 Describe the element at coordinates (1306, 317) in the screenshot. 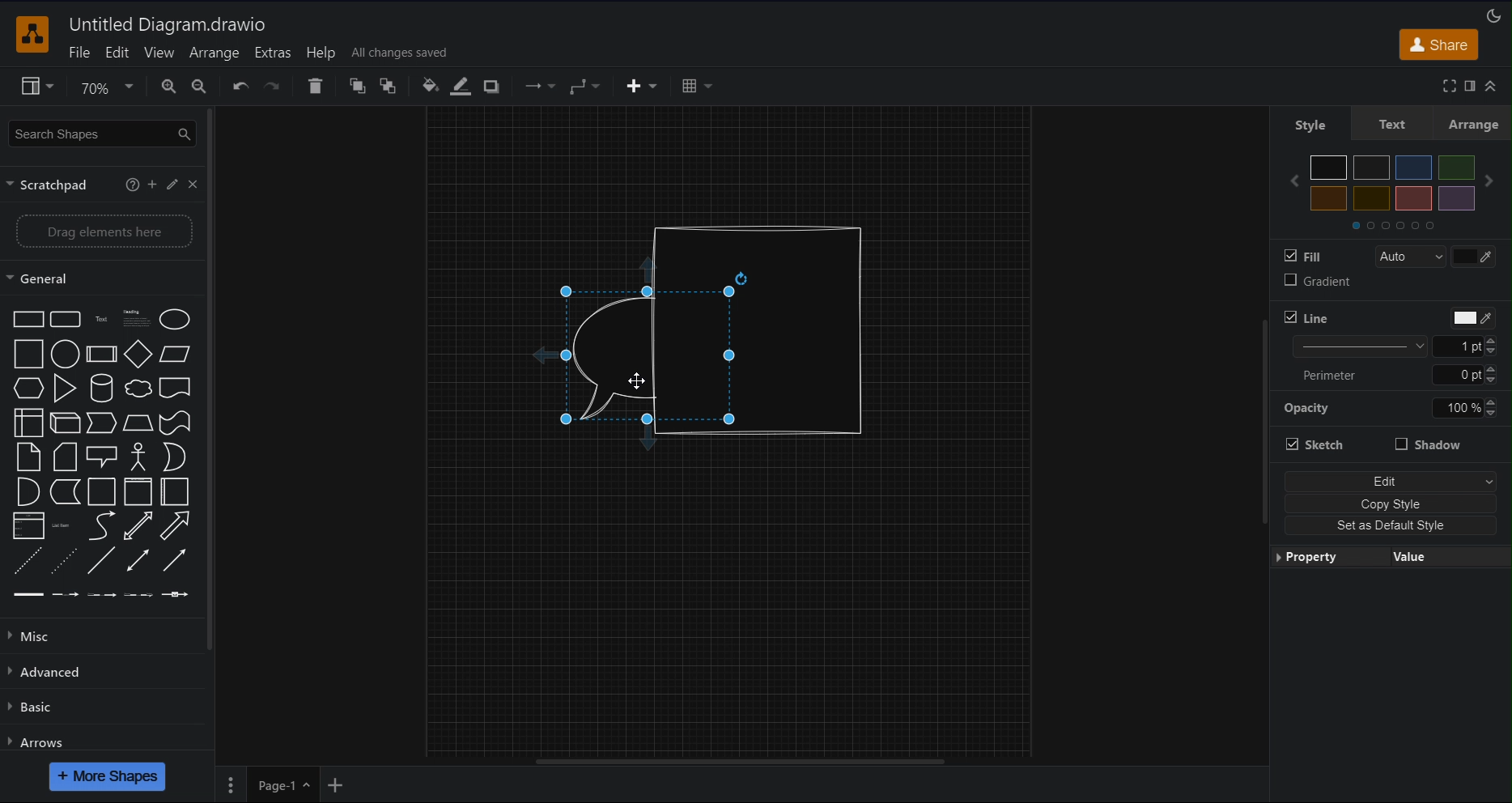

I see `Line` at that location.